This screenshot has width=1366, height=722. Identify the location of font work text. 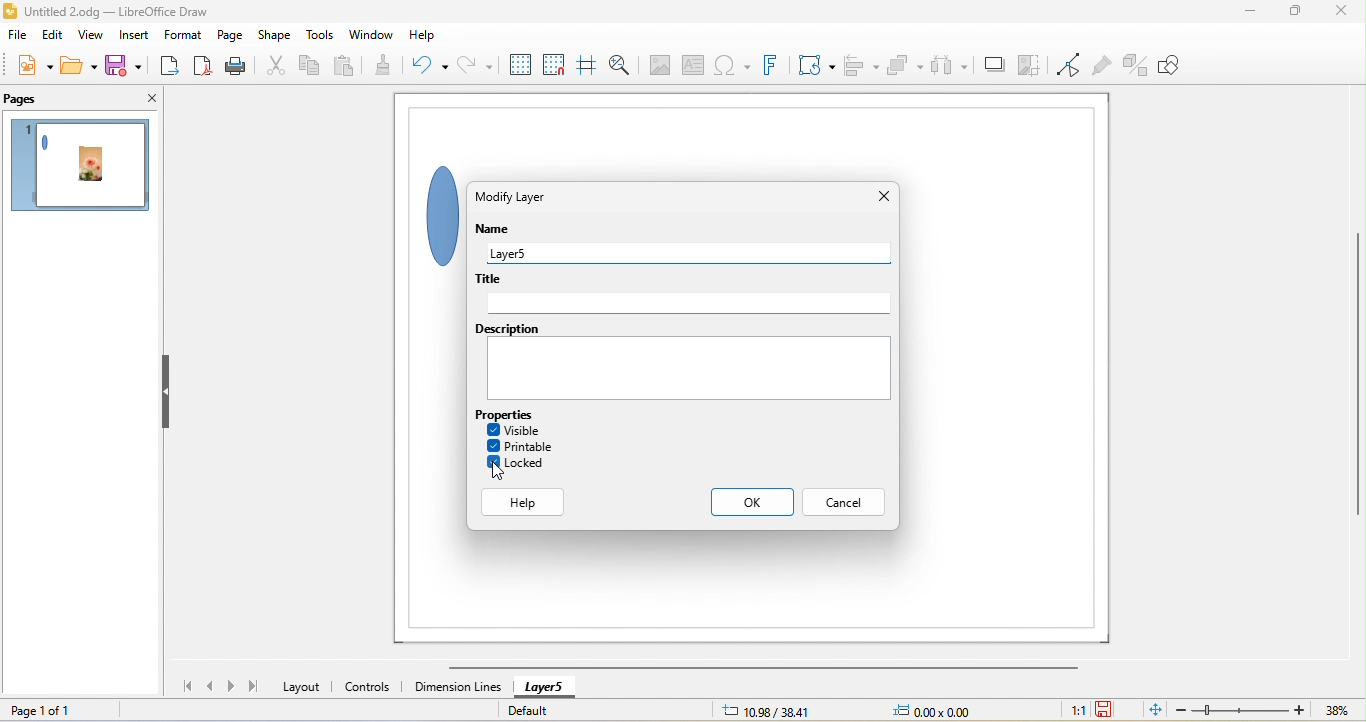
(775, 65).